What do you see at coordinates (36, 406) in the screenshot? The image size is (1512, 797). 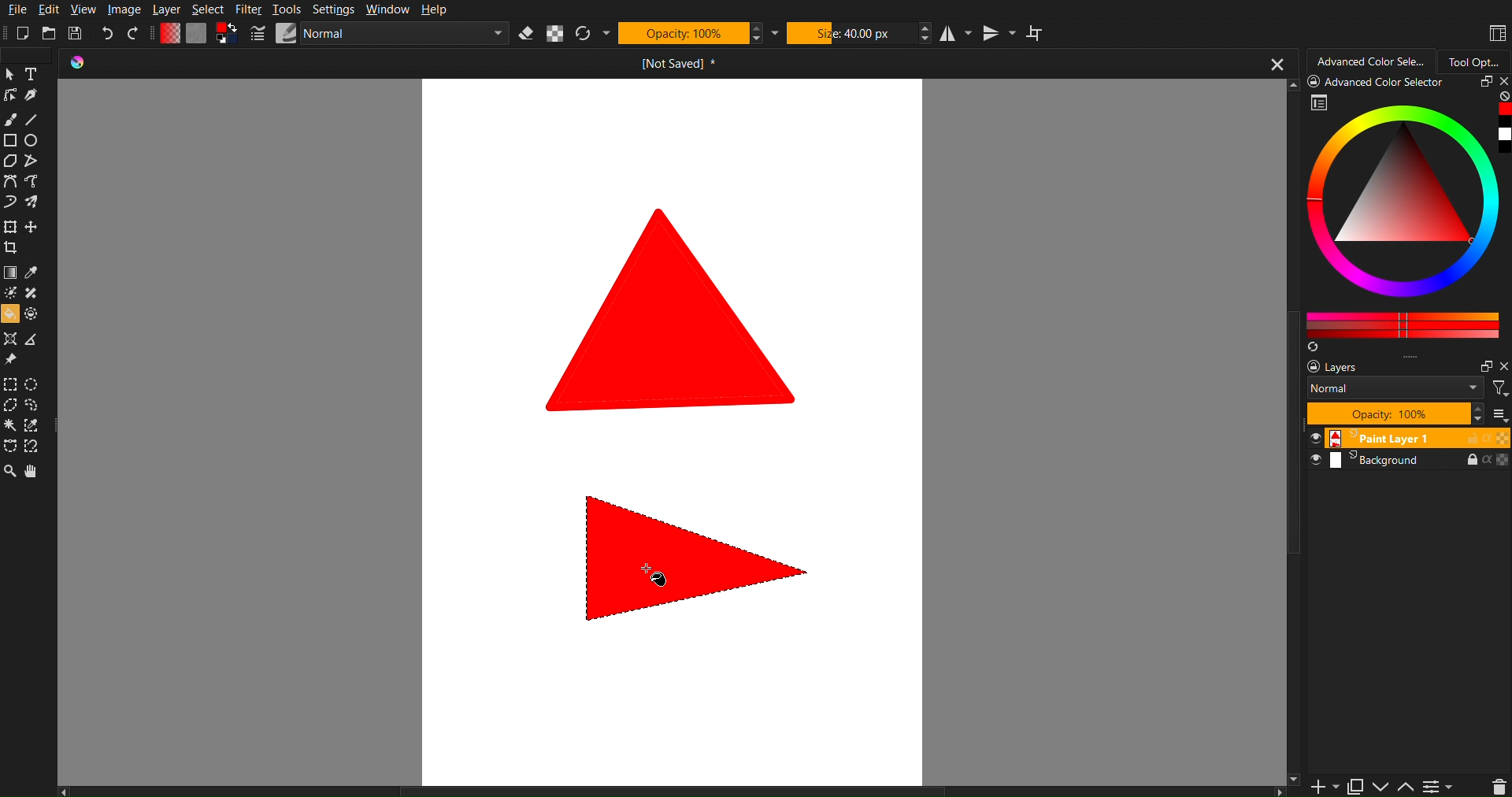 I see `Selection freeshape` at bounding box center [36, 406].